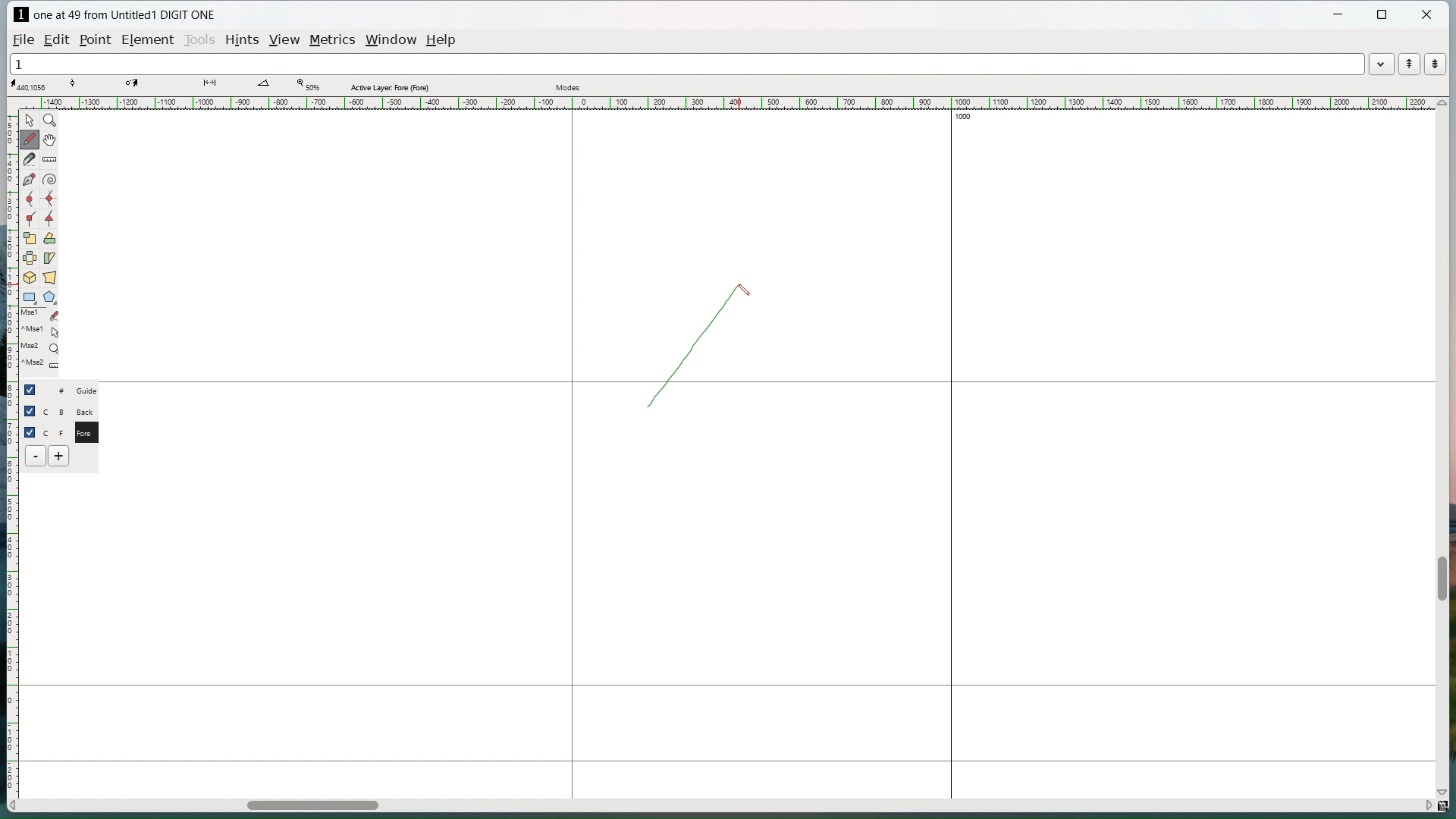 This screenshot has height=819, width=1456. What do you see at coordinates (11, 446) in the screenshot?
I see `vertical ruler` at bounding box center [11, 446].